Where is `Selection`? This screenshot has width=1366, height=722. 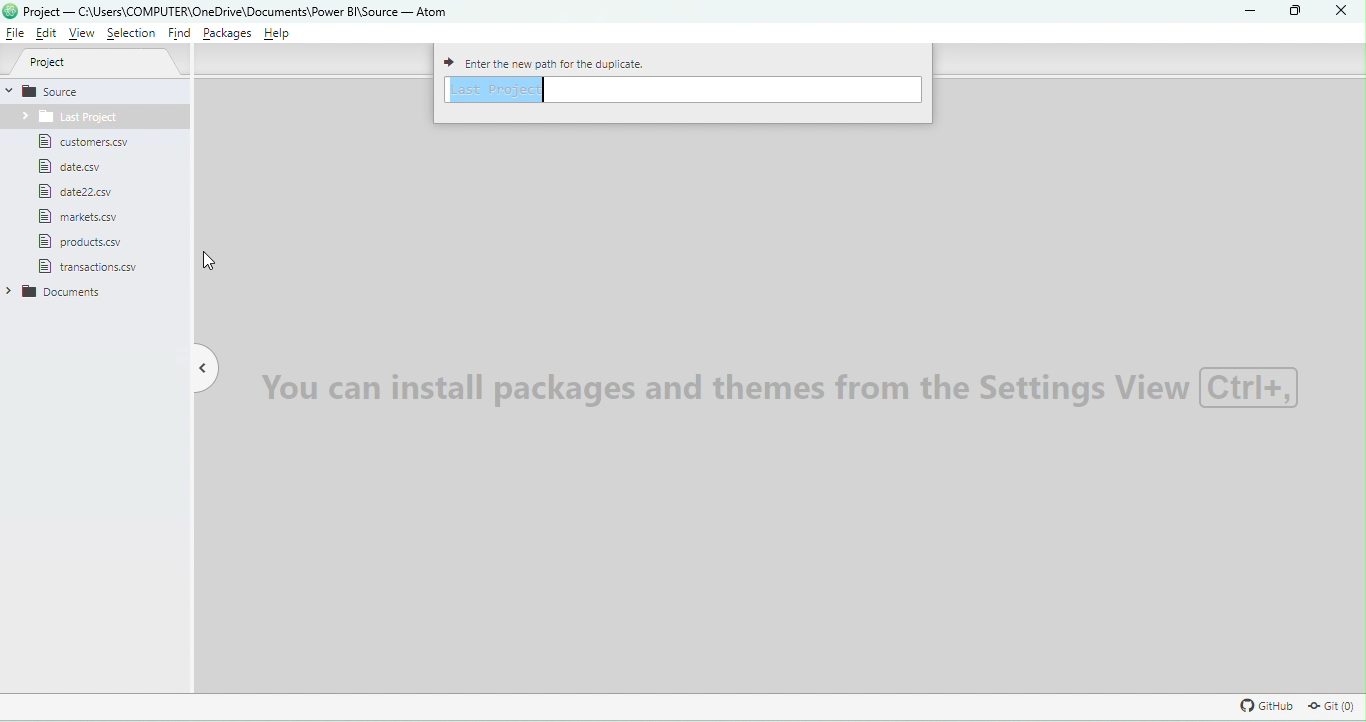 Selection is located at coordinates (131, 33).